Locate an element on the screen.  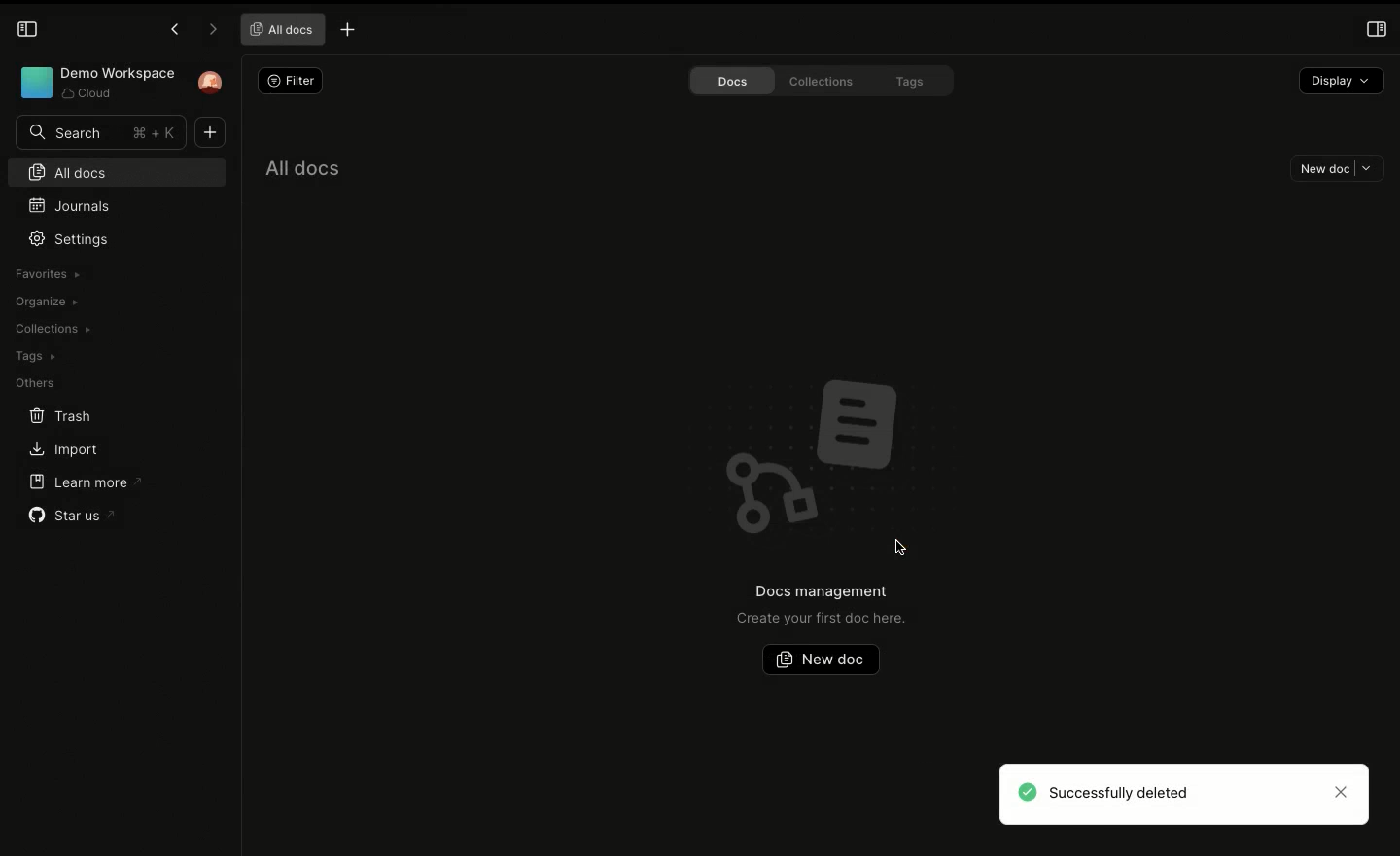
All docs is located at coordinates (277, 30).